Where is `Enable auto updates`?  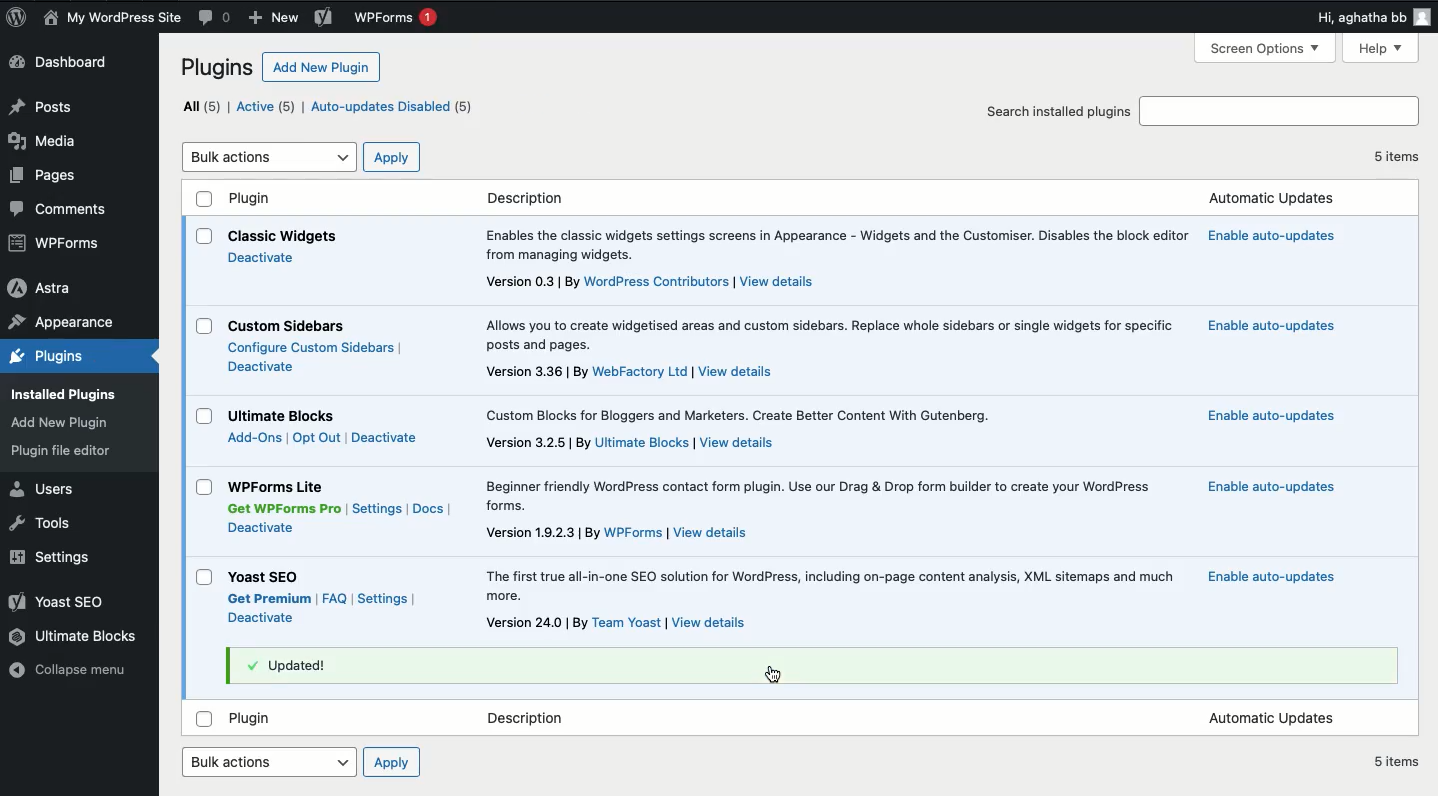 Enable auto updates is located at coordinates (1271, 328).